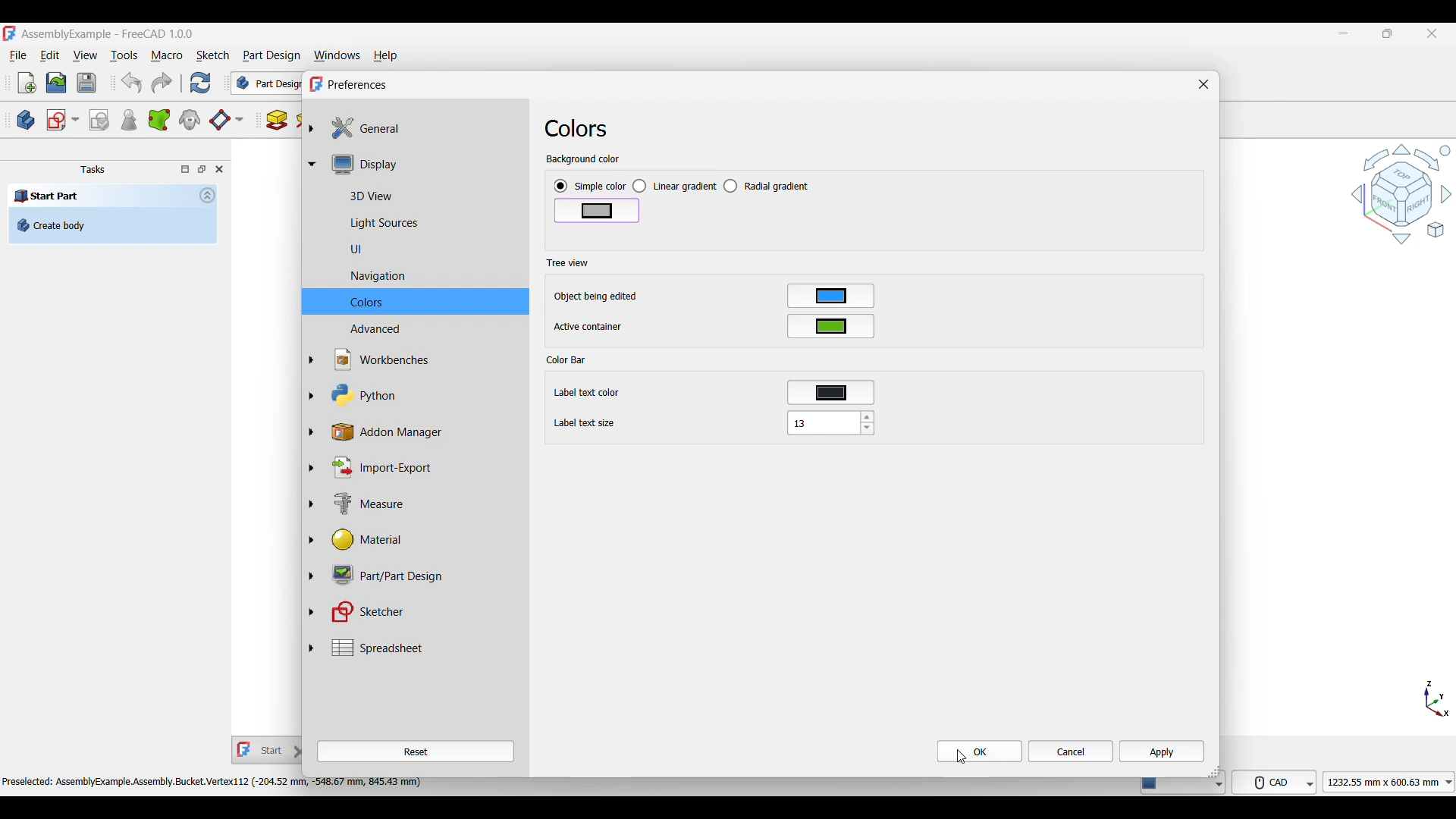 The height and width of the screenshot is (819, 1456). Describe the element at coordinates (425, 432) in the screenshot. I see `Addon manager` at that location.